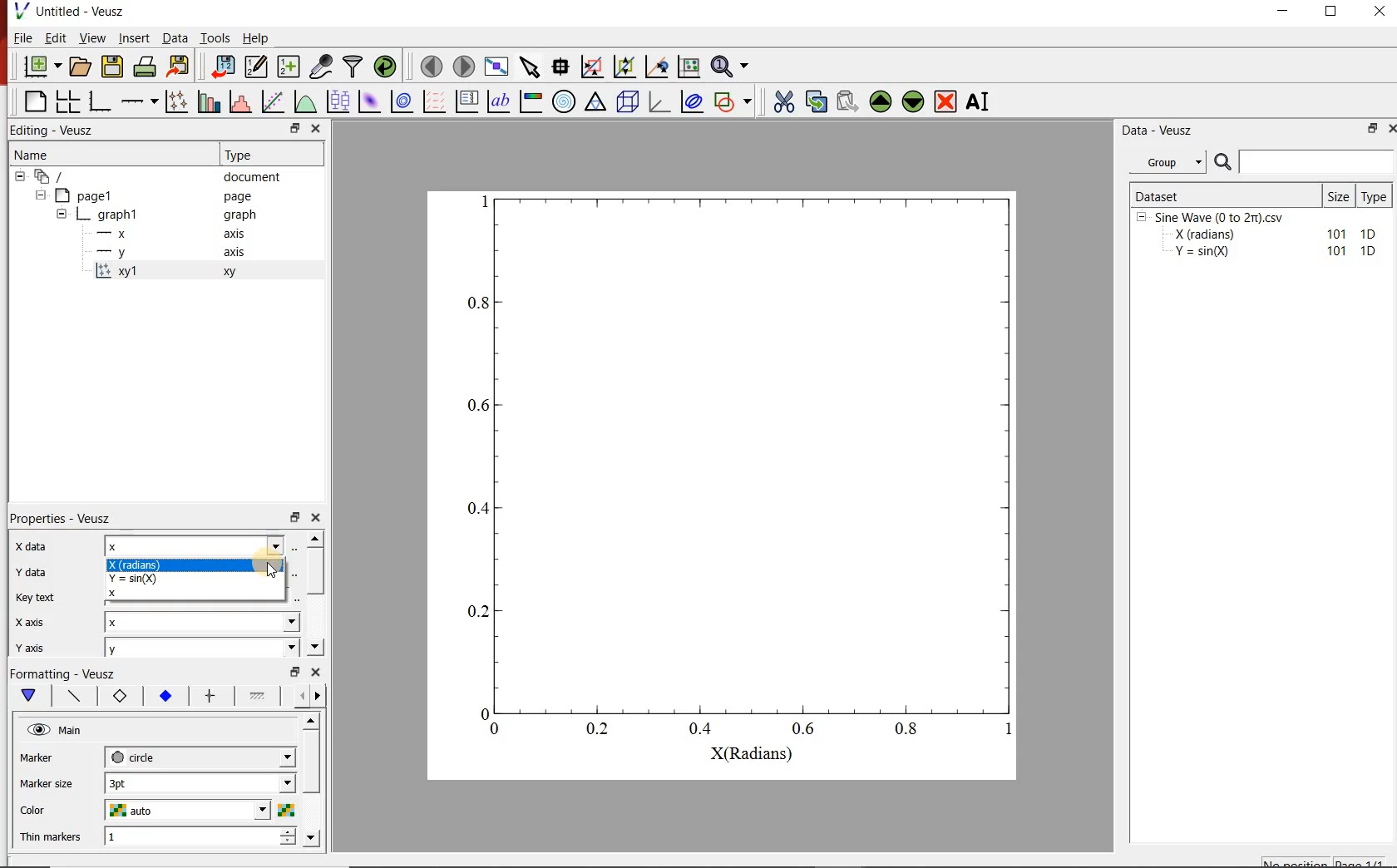  I want to click on 3d graph, so click(659, 101).